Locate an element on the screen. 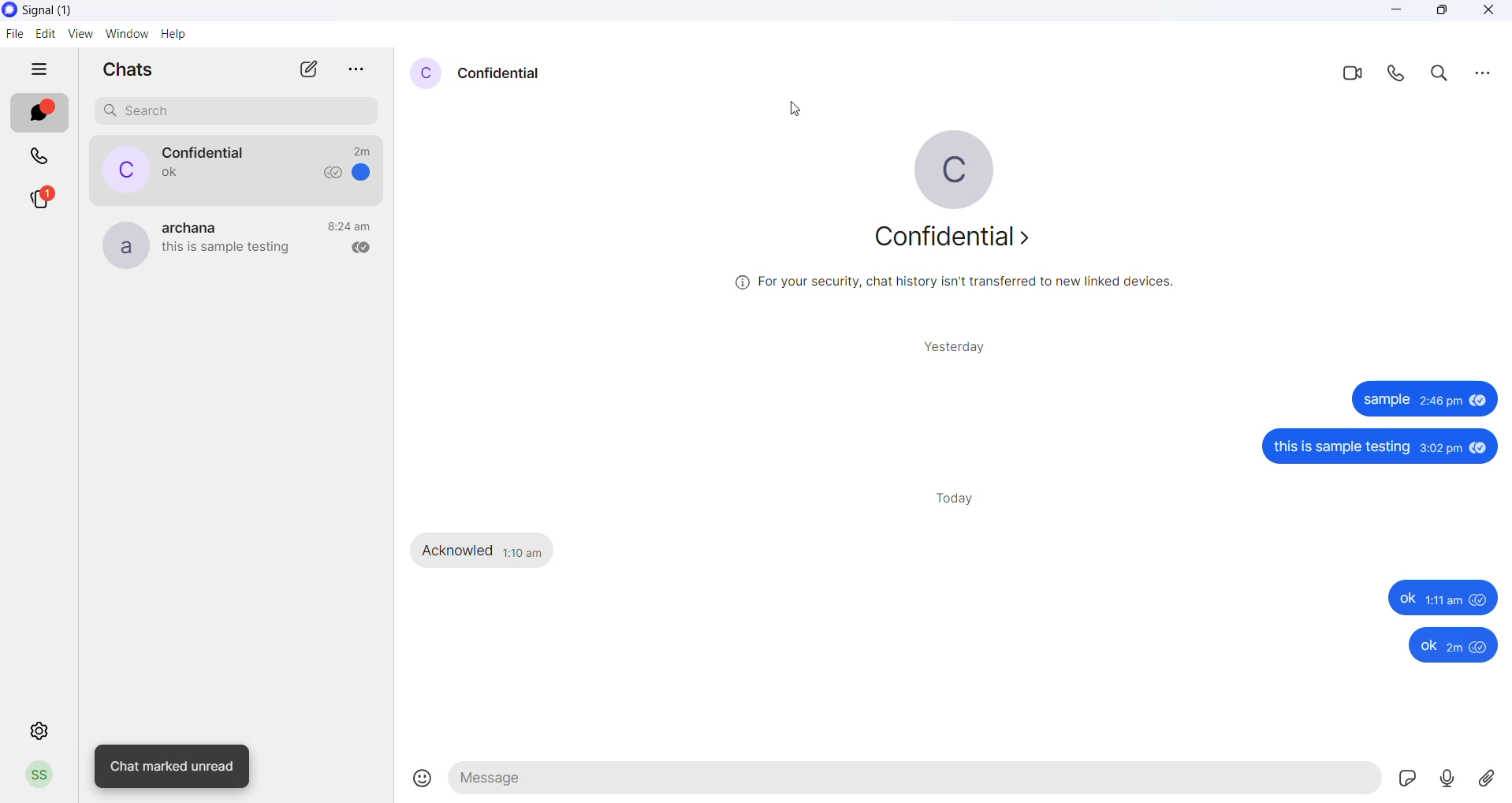 The width and height of the screenshot is (1512, 803). share attachment is located at coordinates (1490, 779).